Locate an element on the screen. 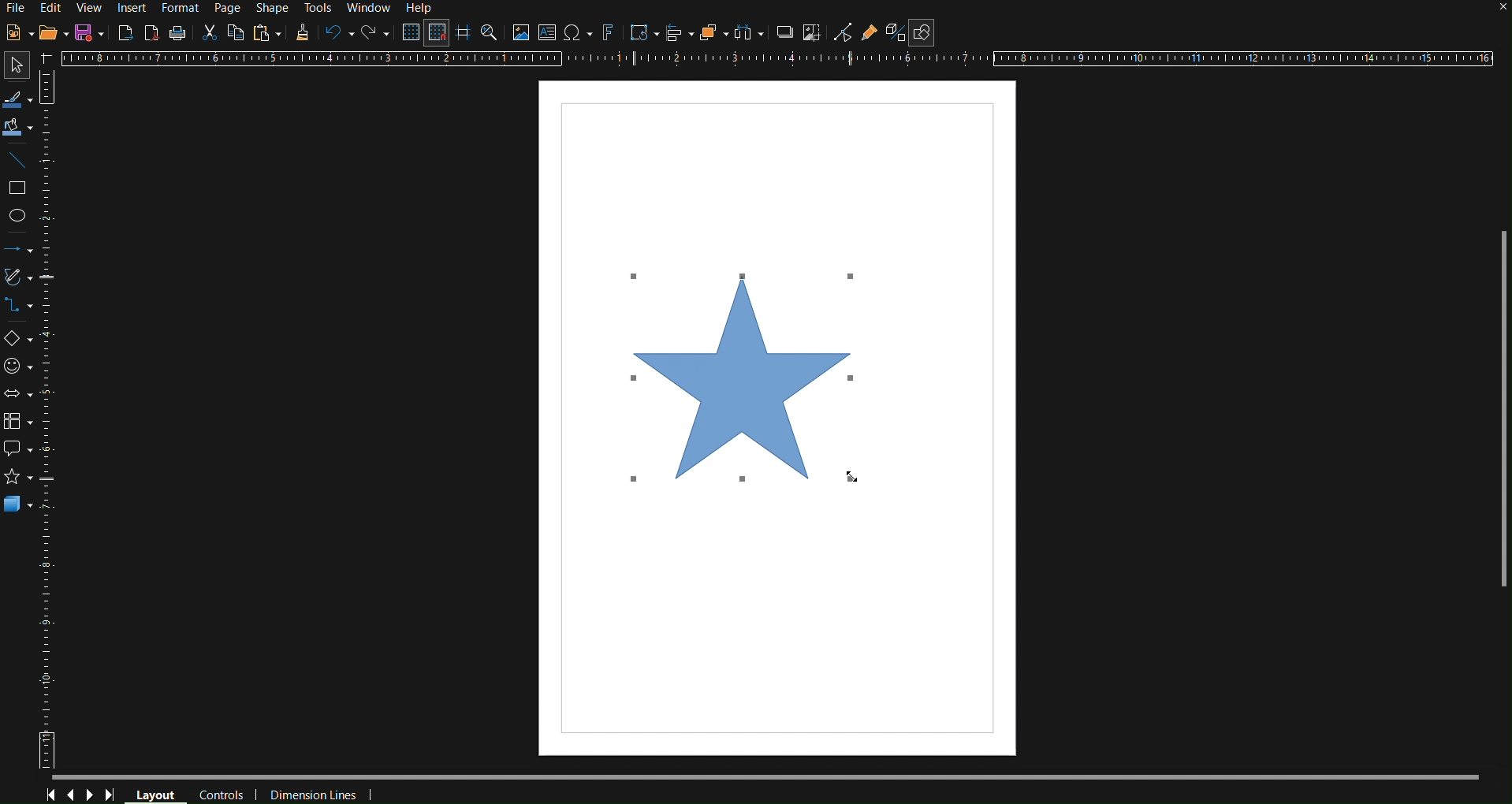  Select is located at coordinates (17, 100).